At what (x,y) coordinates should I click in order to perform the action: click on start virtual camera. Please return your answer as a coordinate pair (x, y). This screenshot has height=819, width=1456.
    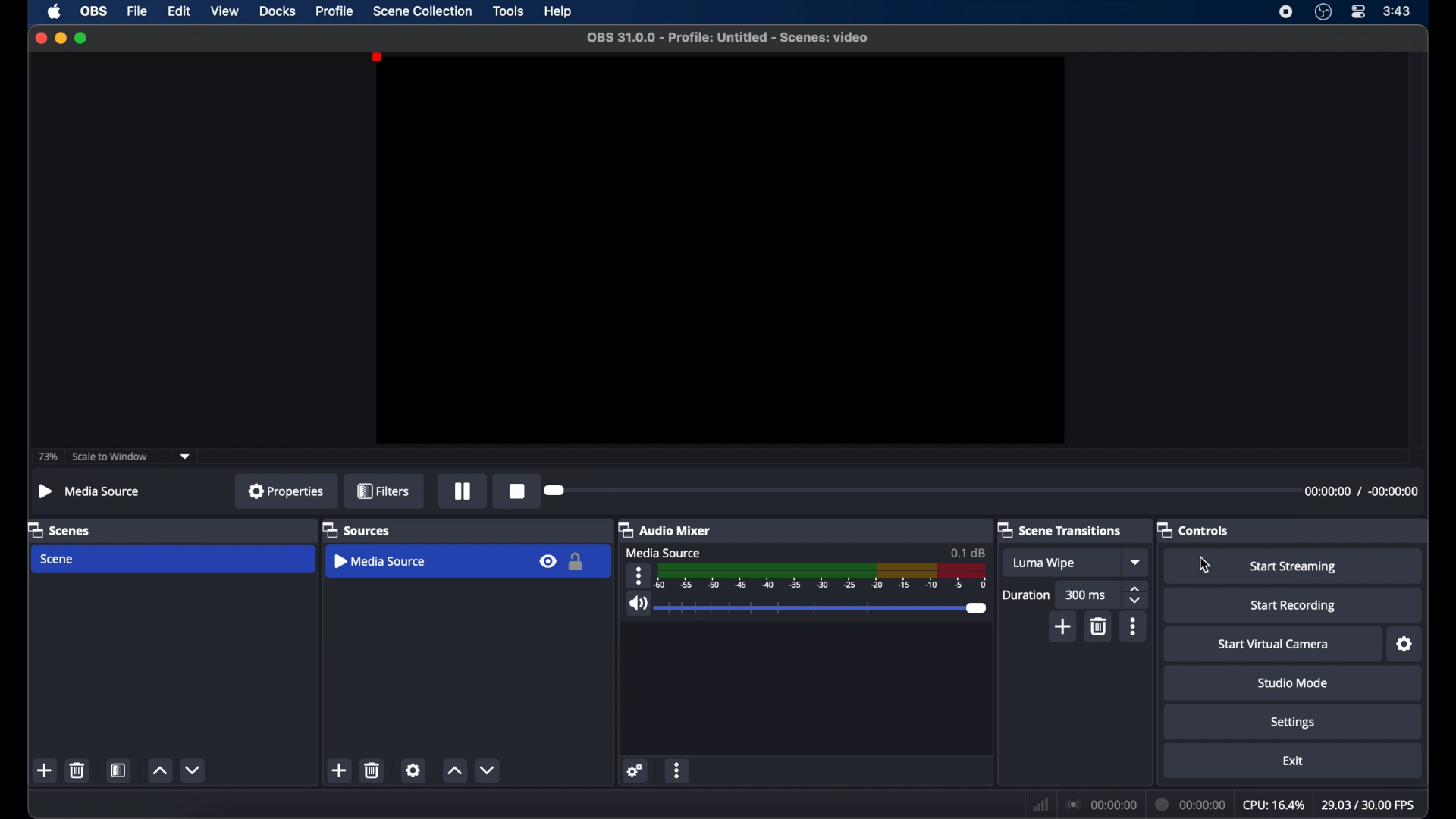
    Looking at the image, I should click on (1272, 645).